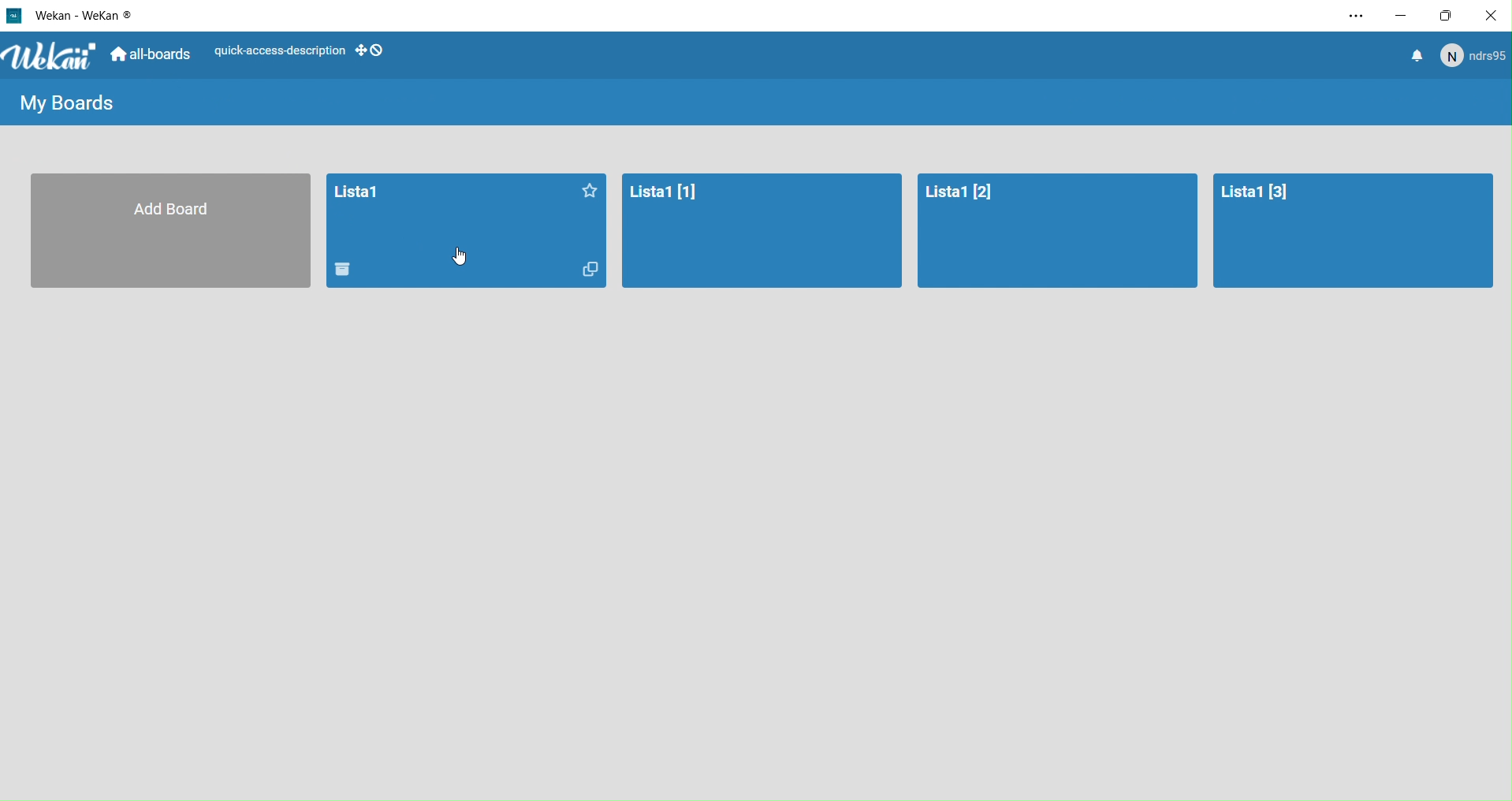 The height and width of the screenshot is (801, 1512). I want to click on All Boards, so click(149, 59).